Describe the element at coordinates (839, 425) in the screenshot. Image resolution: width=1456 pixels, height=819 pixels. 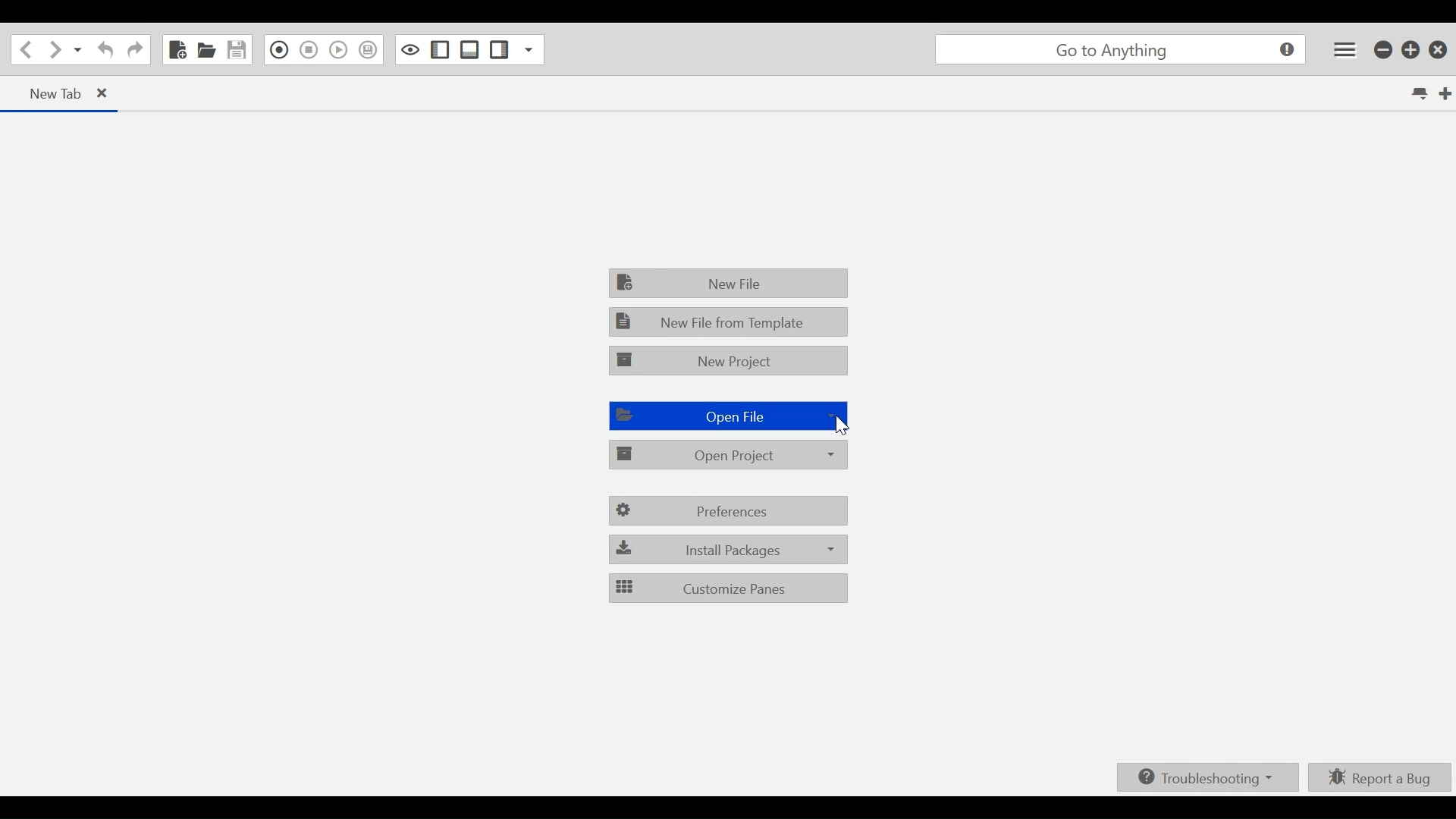
I see `Cursor` at that location.